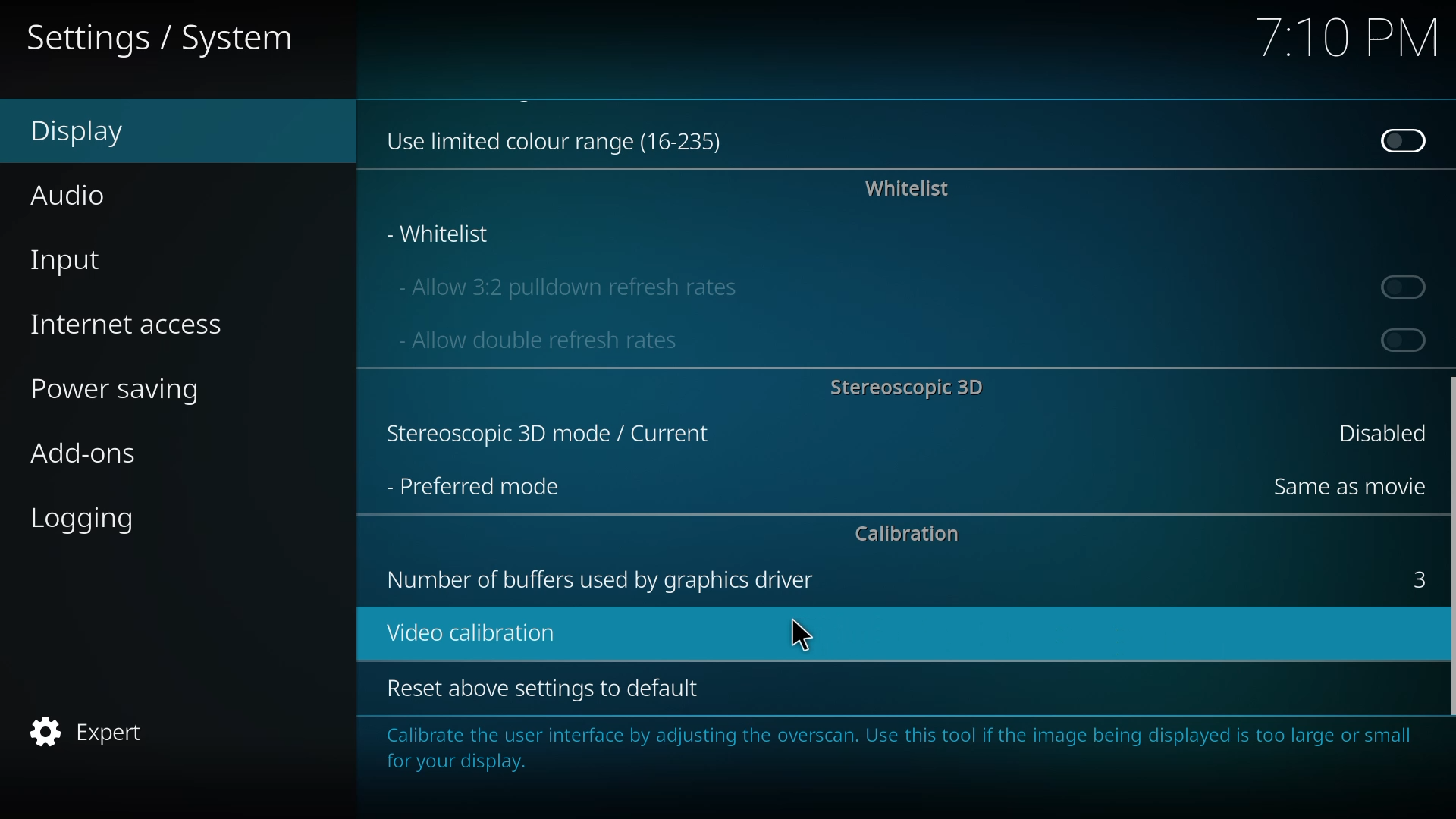 The height and width of the screenshot is (819, 1456). What do you see at coordinates (441, 234) in the screenshot?
I see `whitelist` at bounding box center [441, 234].